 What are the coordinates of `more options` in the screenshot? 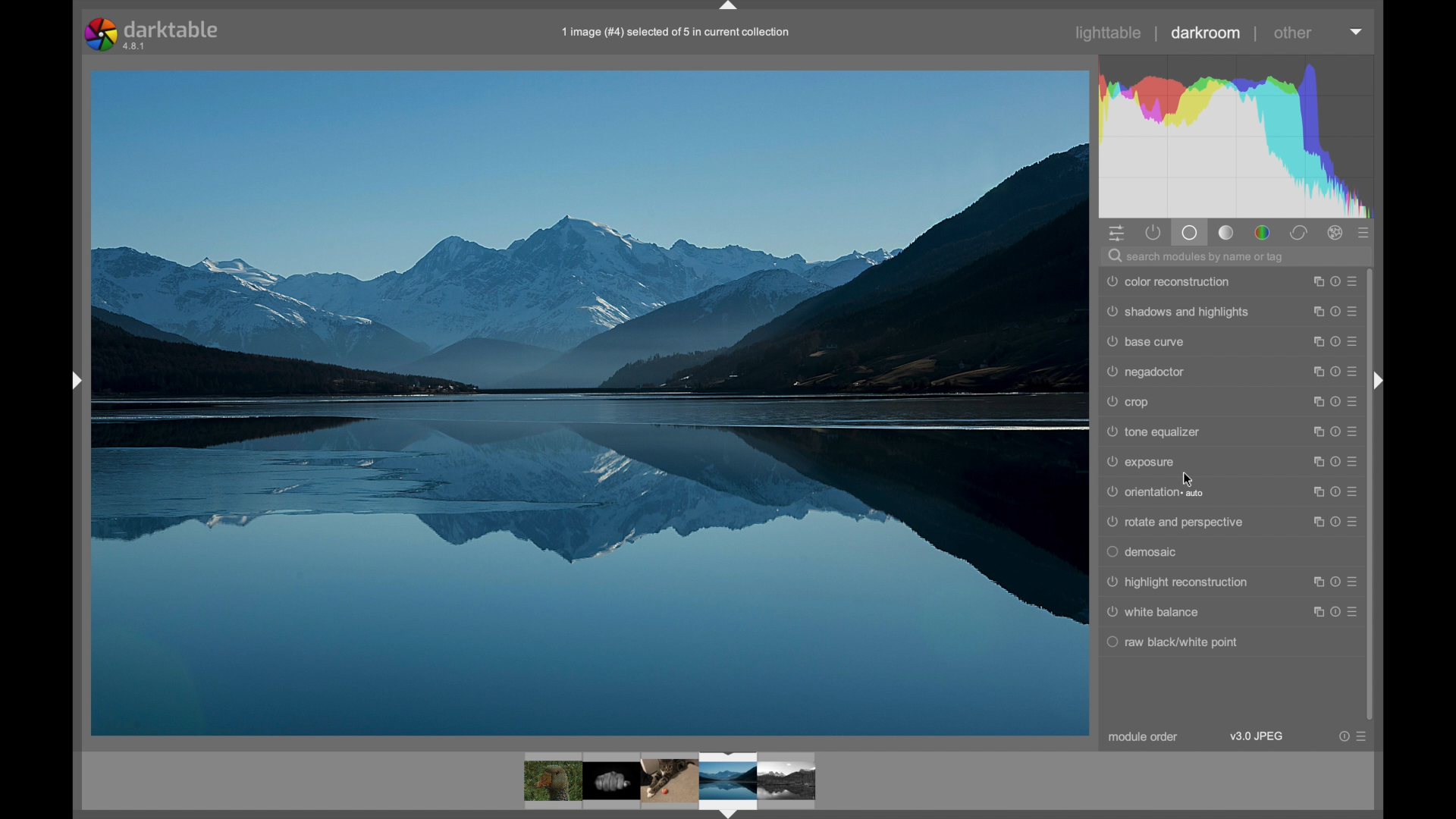 It's located at (1336, 281).